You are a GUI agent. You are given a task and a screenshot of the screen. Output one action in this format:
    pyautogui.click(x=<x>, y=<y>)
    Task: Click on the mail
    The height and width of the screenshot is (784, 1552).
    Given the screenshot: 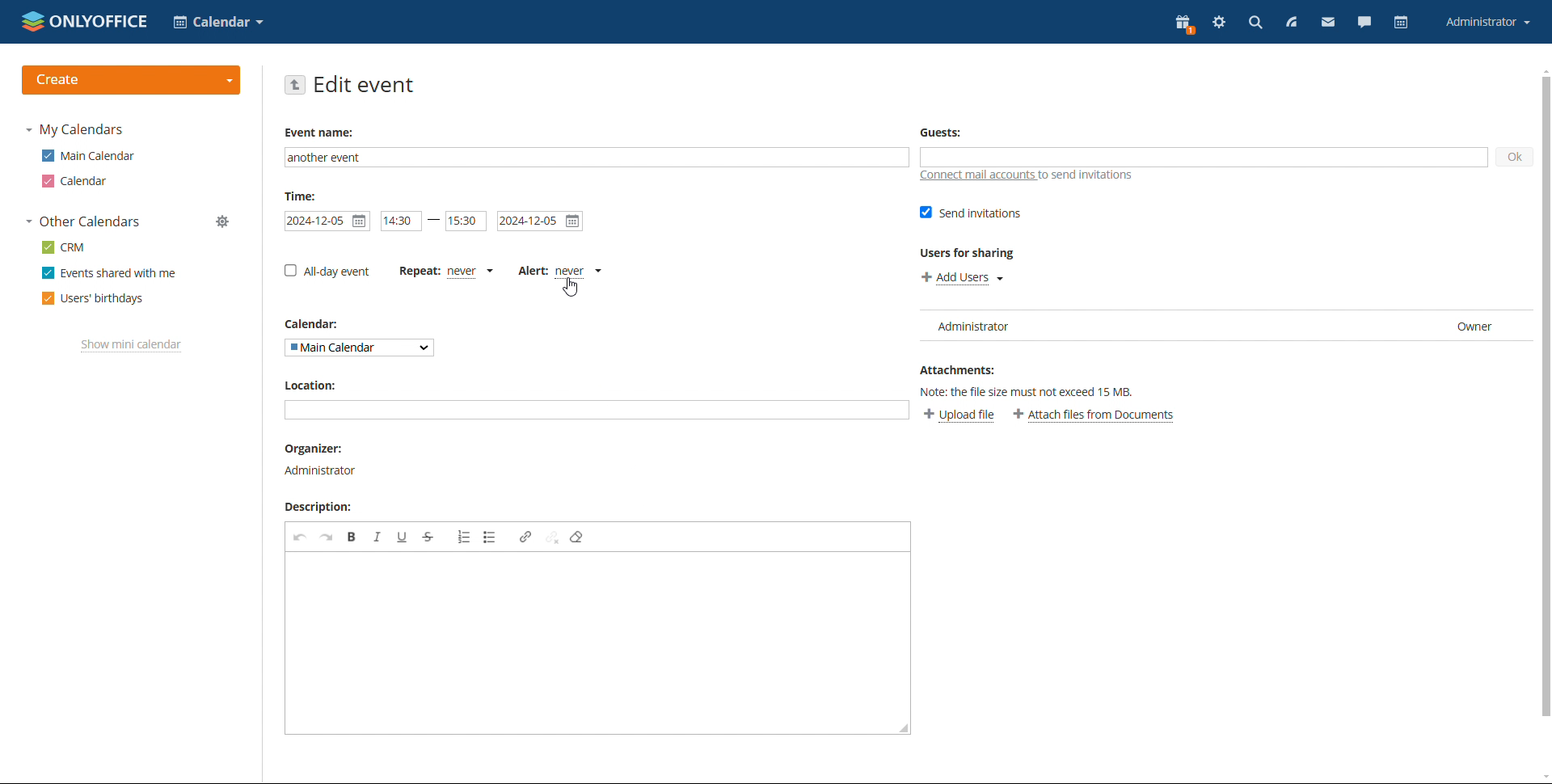 What is the action you would take?
    pyautogui.click(x=1329, y=24)
    